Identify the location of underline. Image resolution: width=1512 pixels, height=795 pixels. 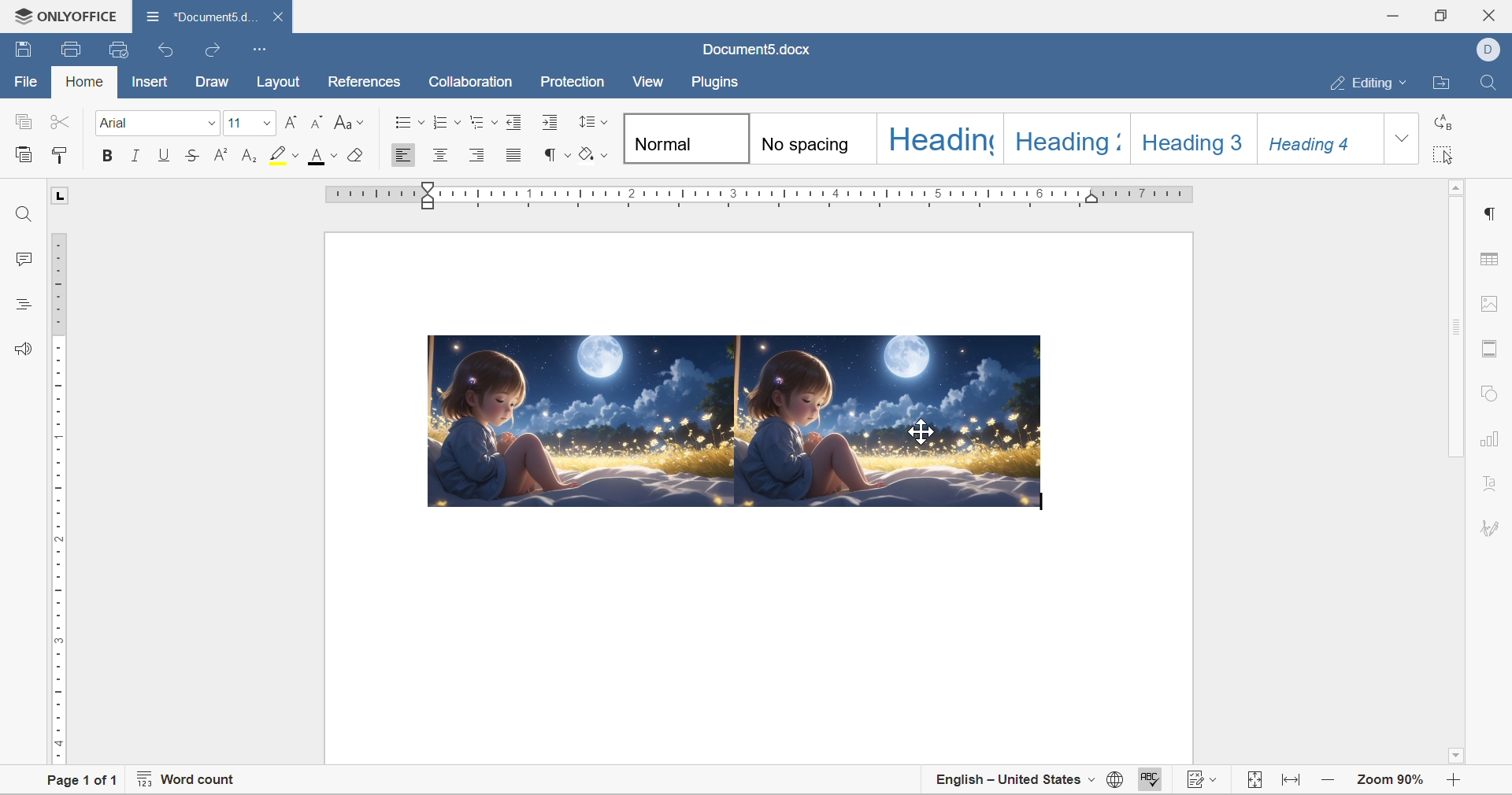
(165, 154).